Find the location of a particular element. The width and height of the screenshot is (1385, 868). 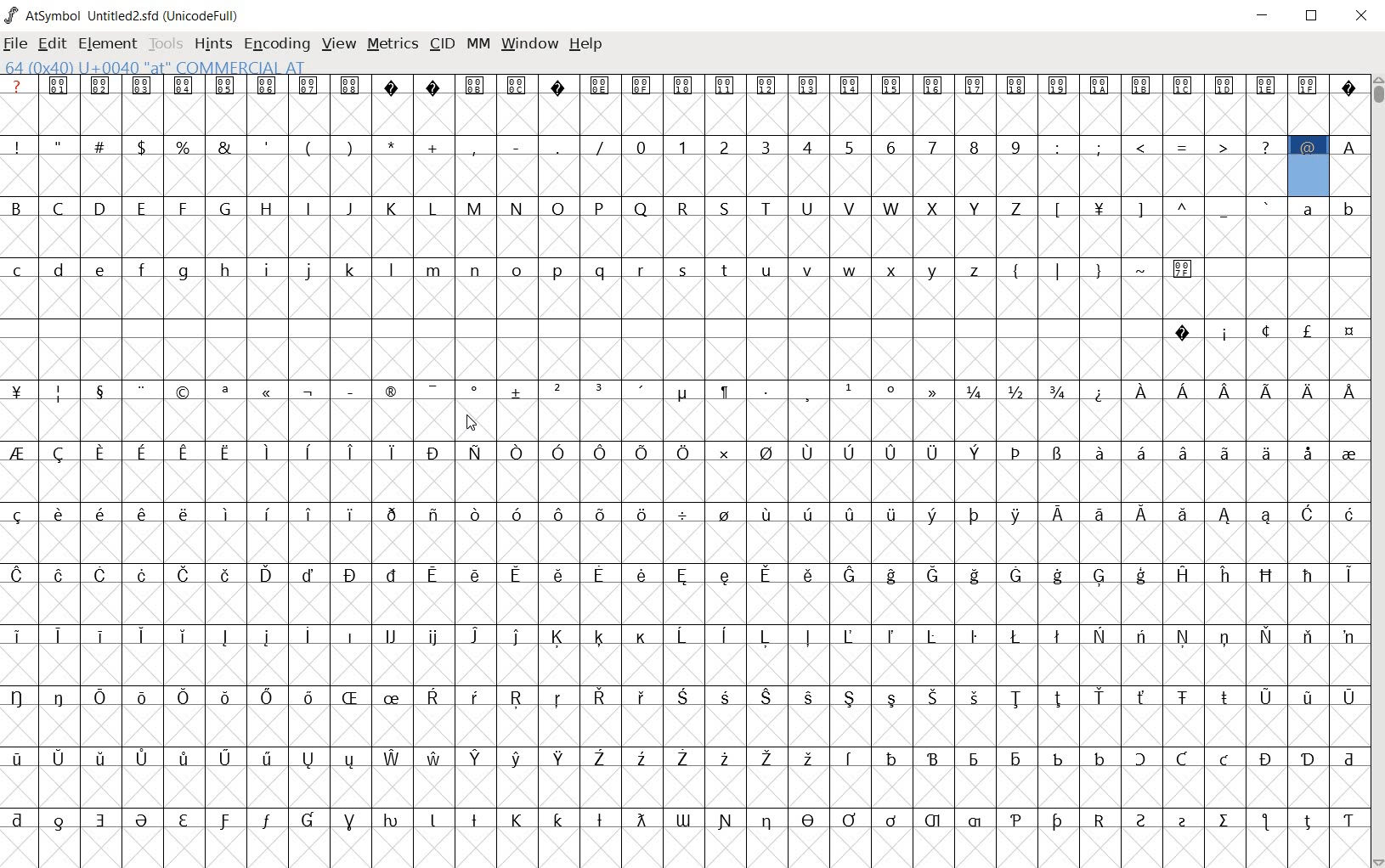

0 - 9 is located at coordinates (825, 145).